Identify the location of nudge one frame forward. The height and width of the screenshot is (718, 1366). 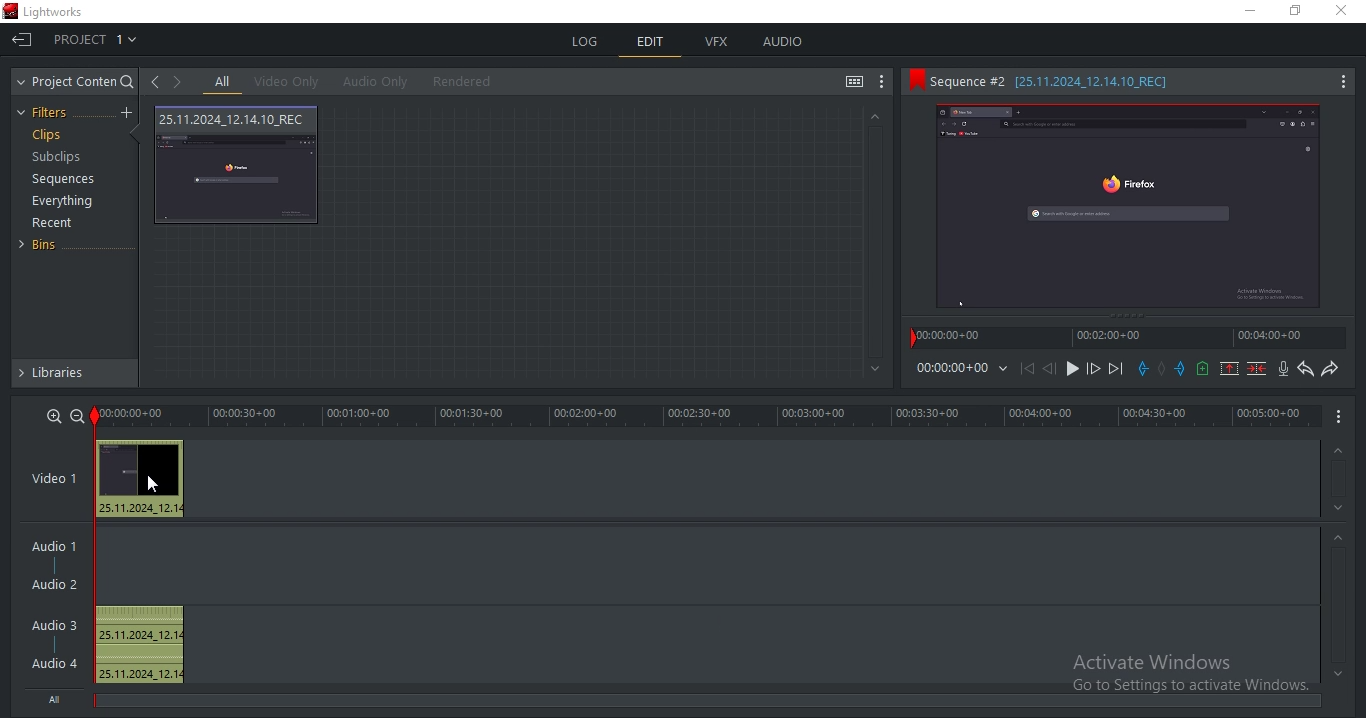
(1092, 369).